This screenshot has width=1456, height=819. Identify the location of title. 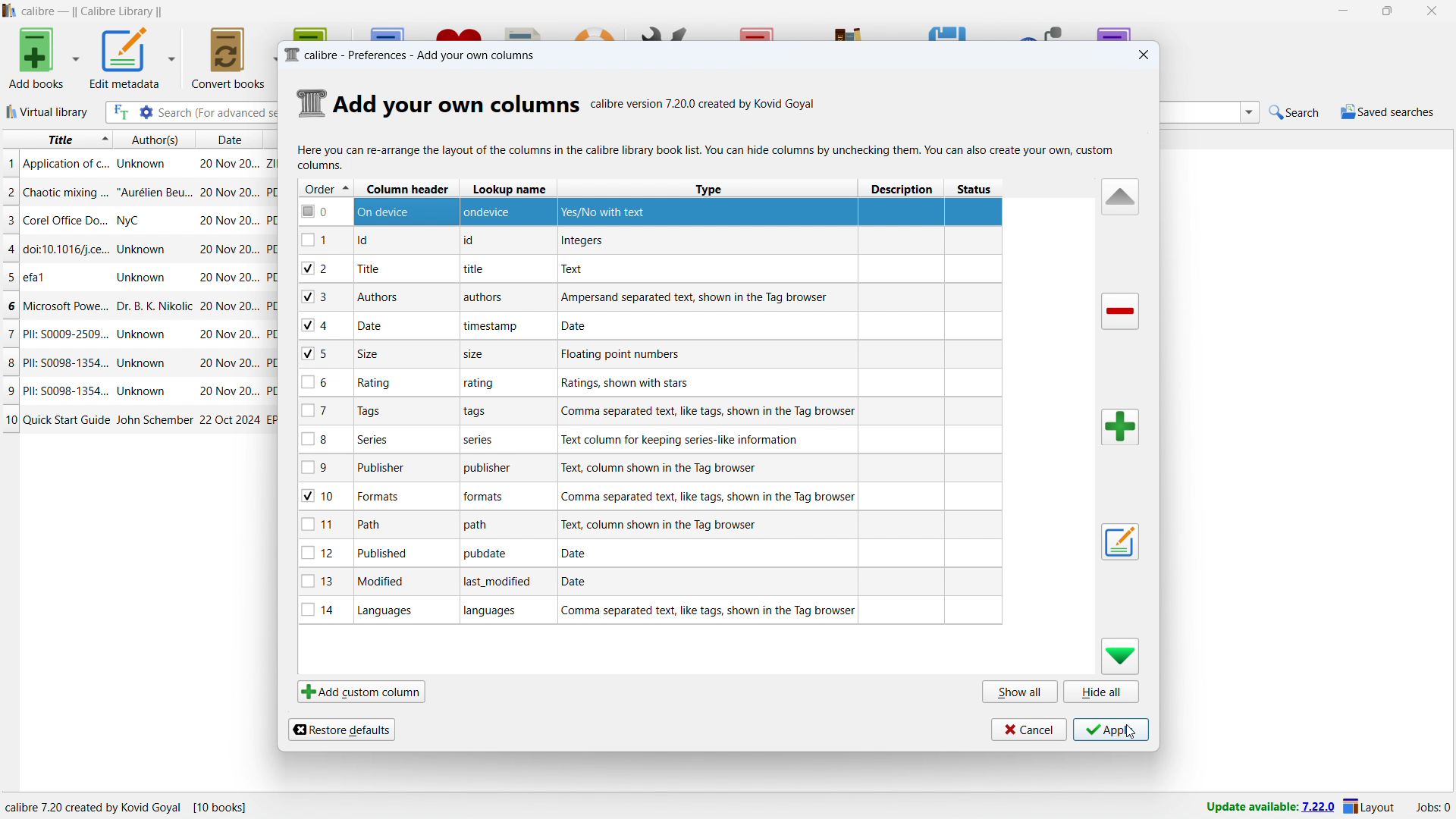
(67, 419).